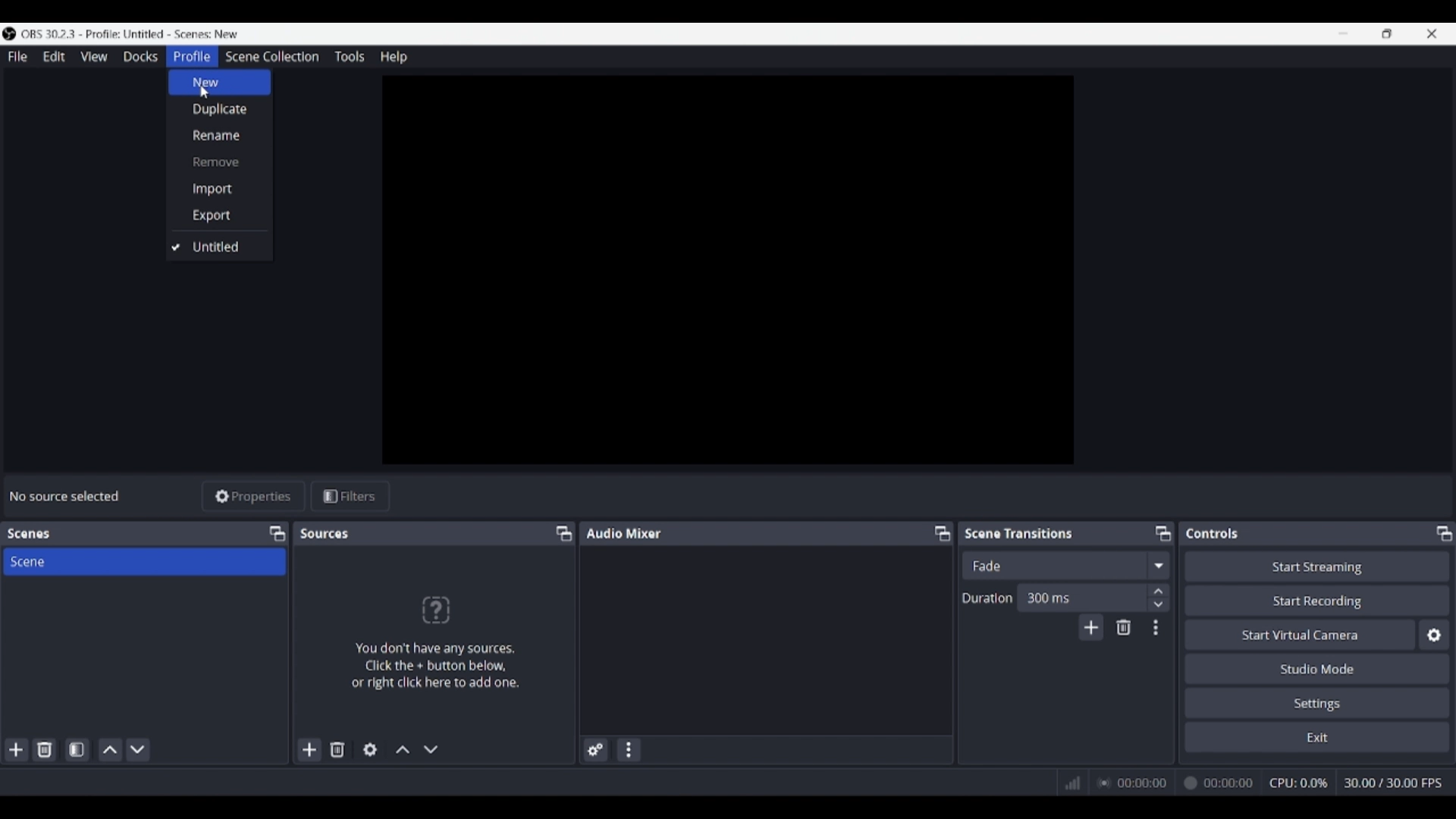  Describe the element at coordinates (1090, 627) in the screenshot. I see `Add transition` at that location.